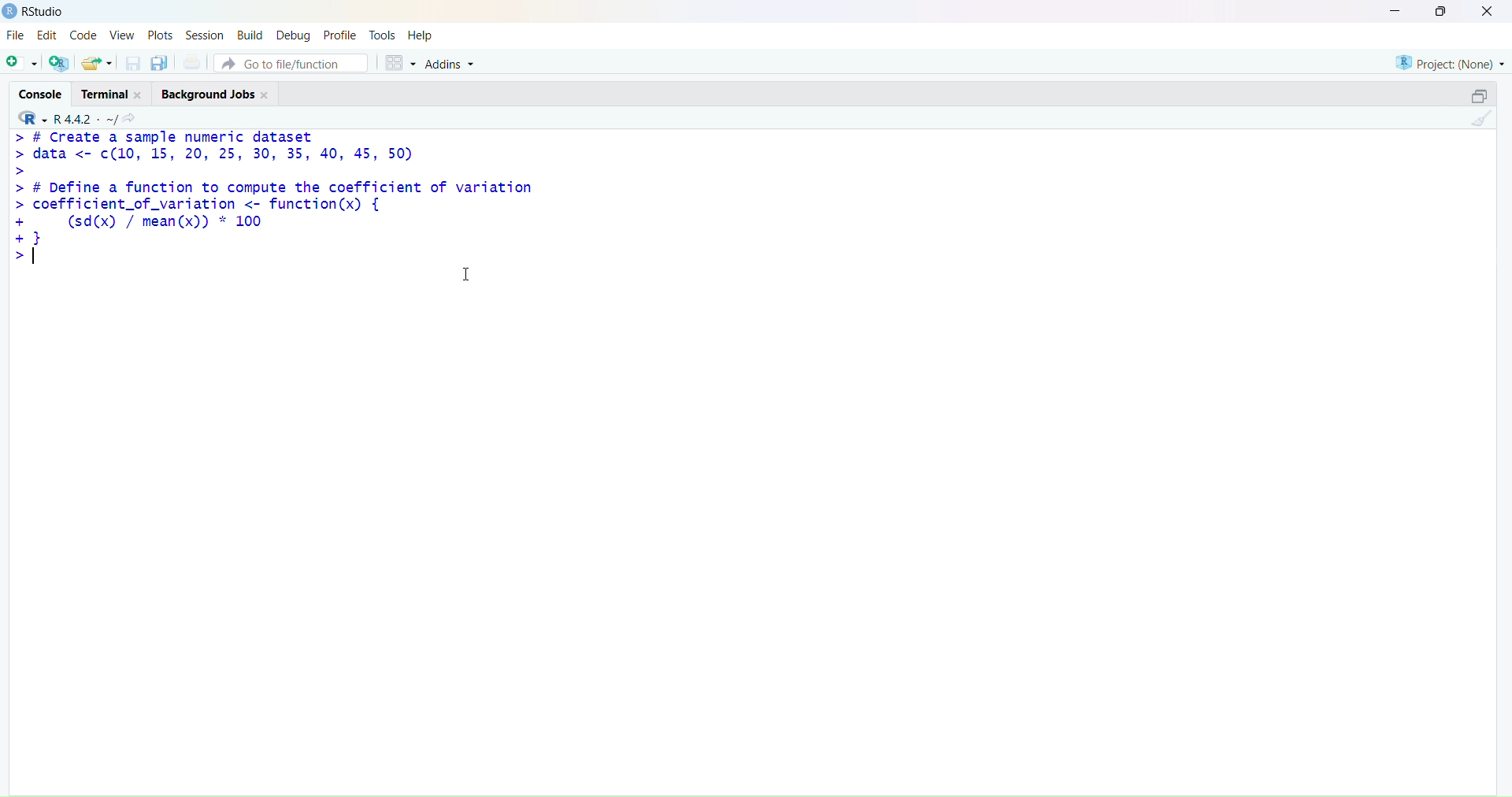  What do you see at coordinates (1487, 11) in the screenshot?
I see `close` at bounding box center [1487, 11].